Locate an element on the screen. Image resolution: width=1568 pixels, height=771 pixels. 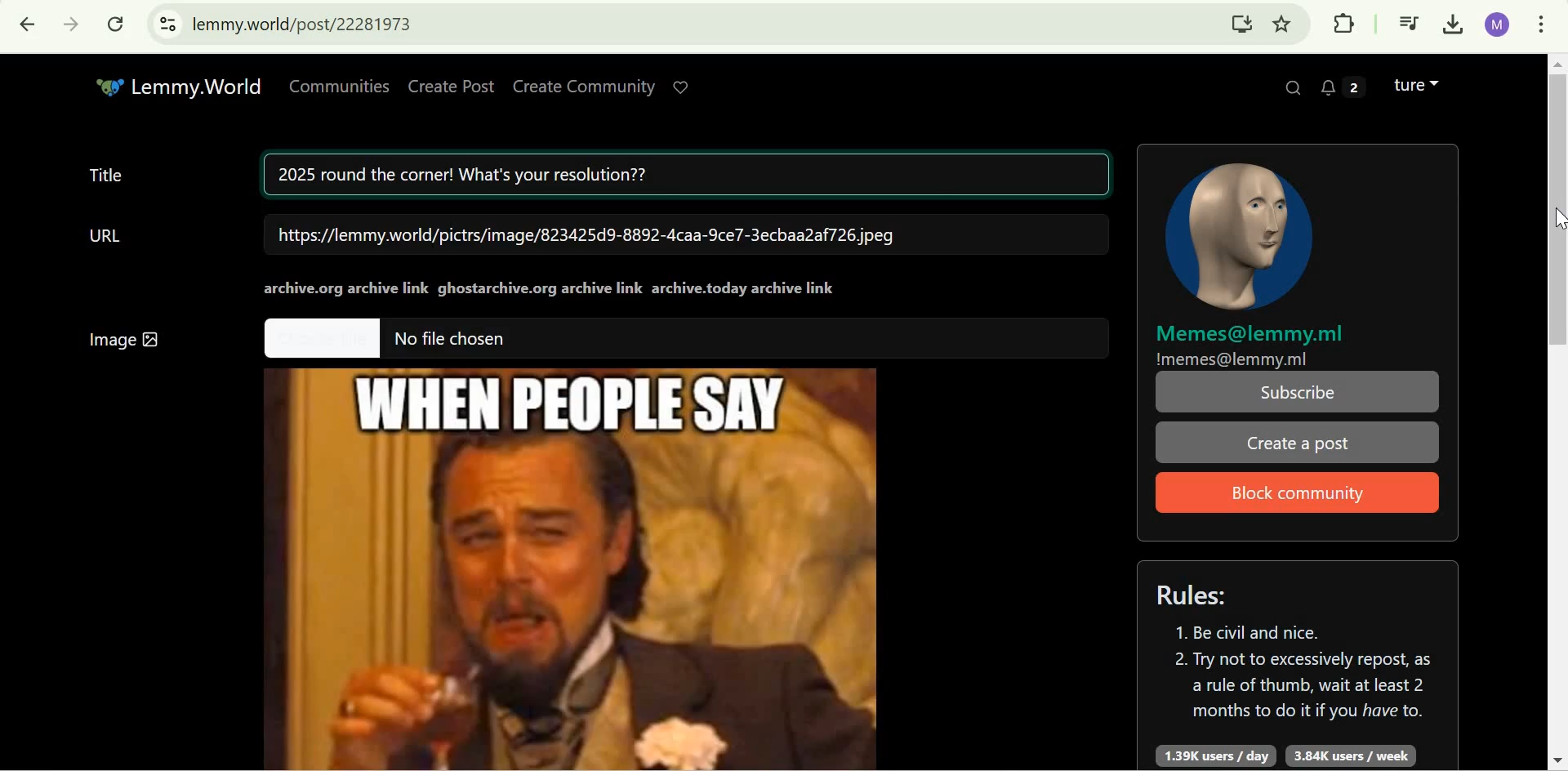
Google account is located at coordinates (1498, 25).